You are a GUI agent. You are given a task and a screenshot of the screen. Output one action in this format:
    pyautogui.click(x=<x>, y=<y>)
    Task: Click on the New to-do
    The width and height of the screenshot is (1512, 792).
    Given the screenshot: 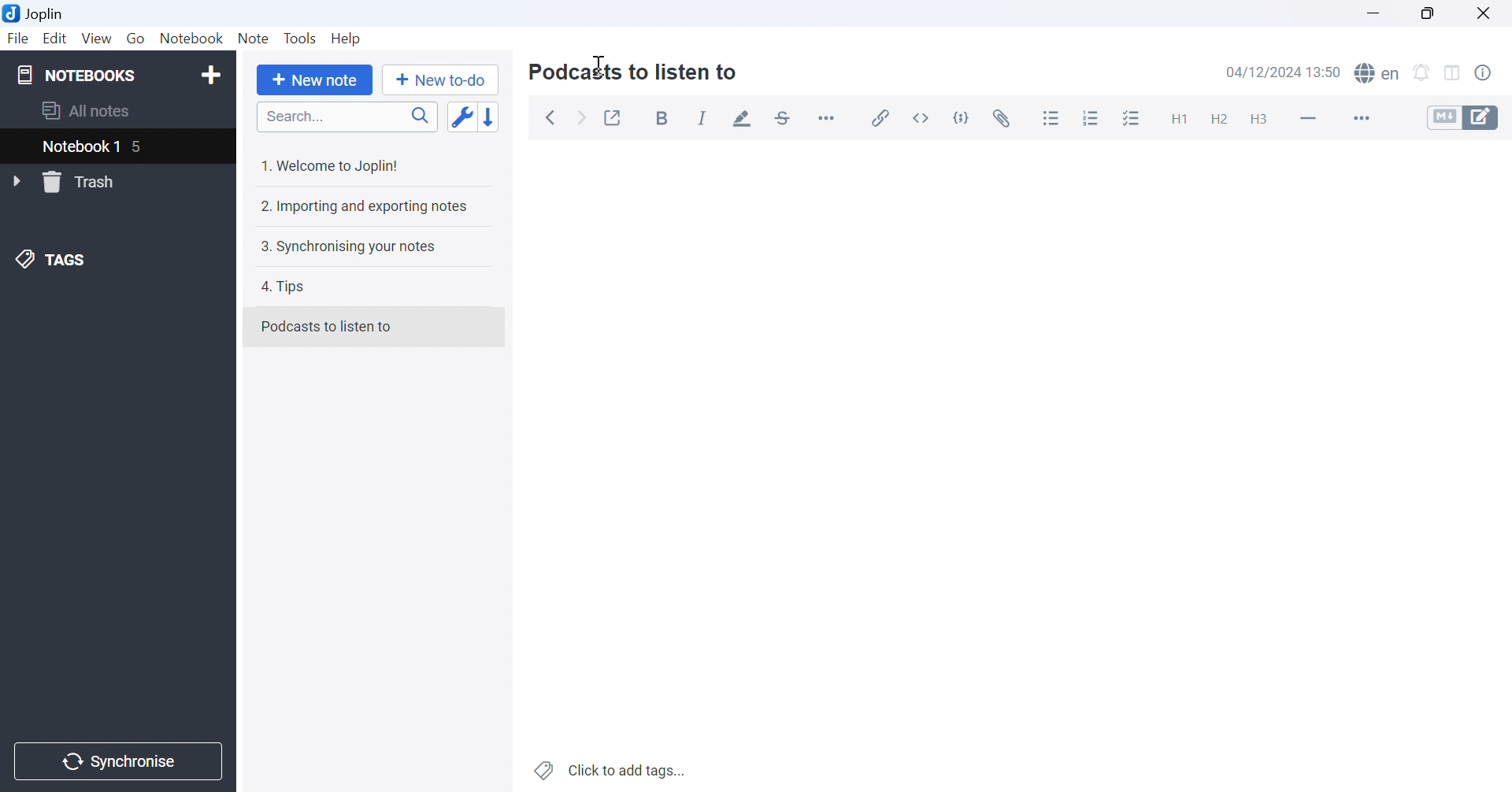 What is the action you would take?
    pyautogui.click(x=445, y=80)
    